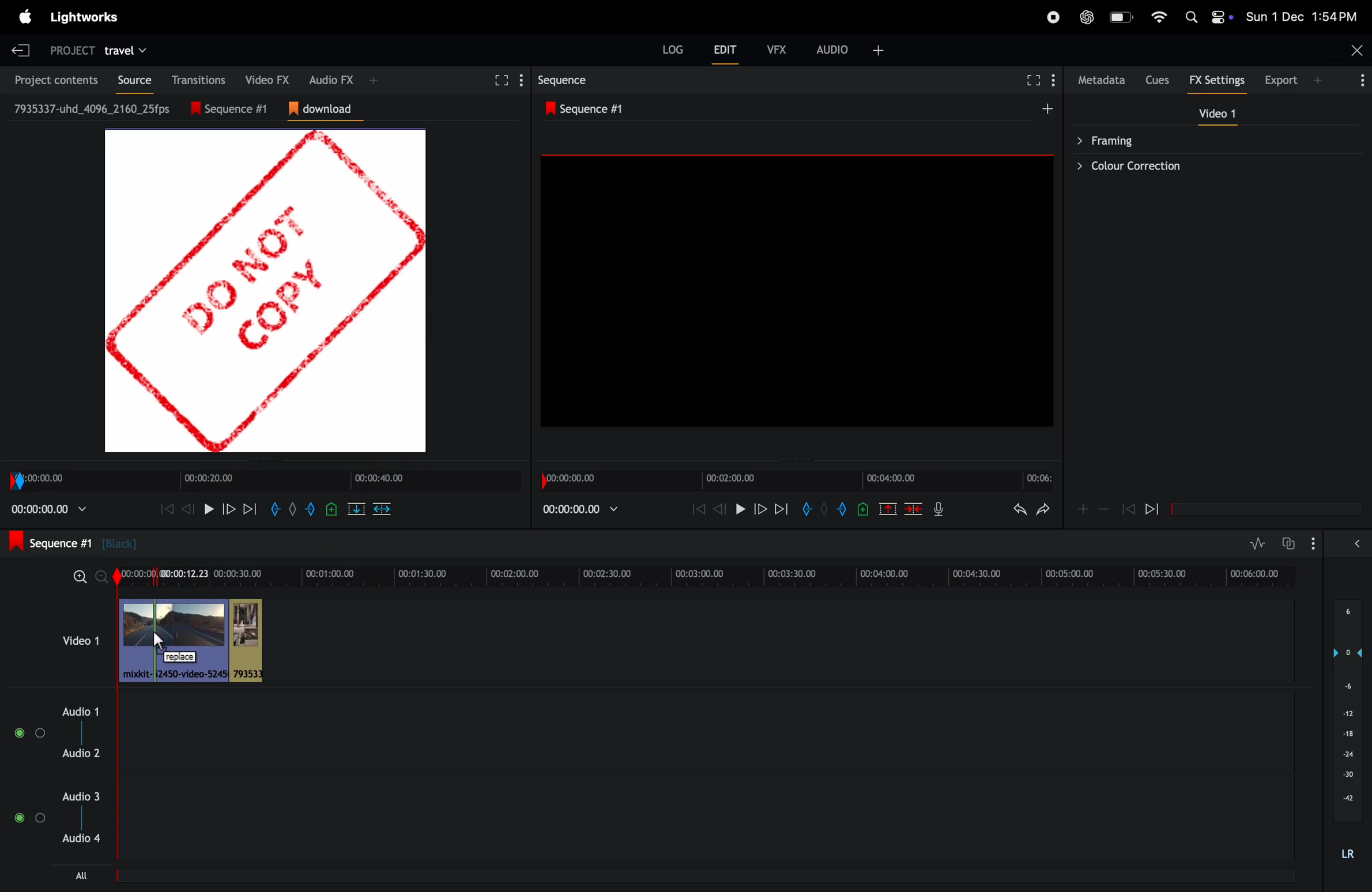  What do you see at coordinates (797, 481) in the screenshot?
I see `time frame` at bounding box center [797, 481].